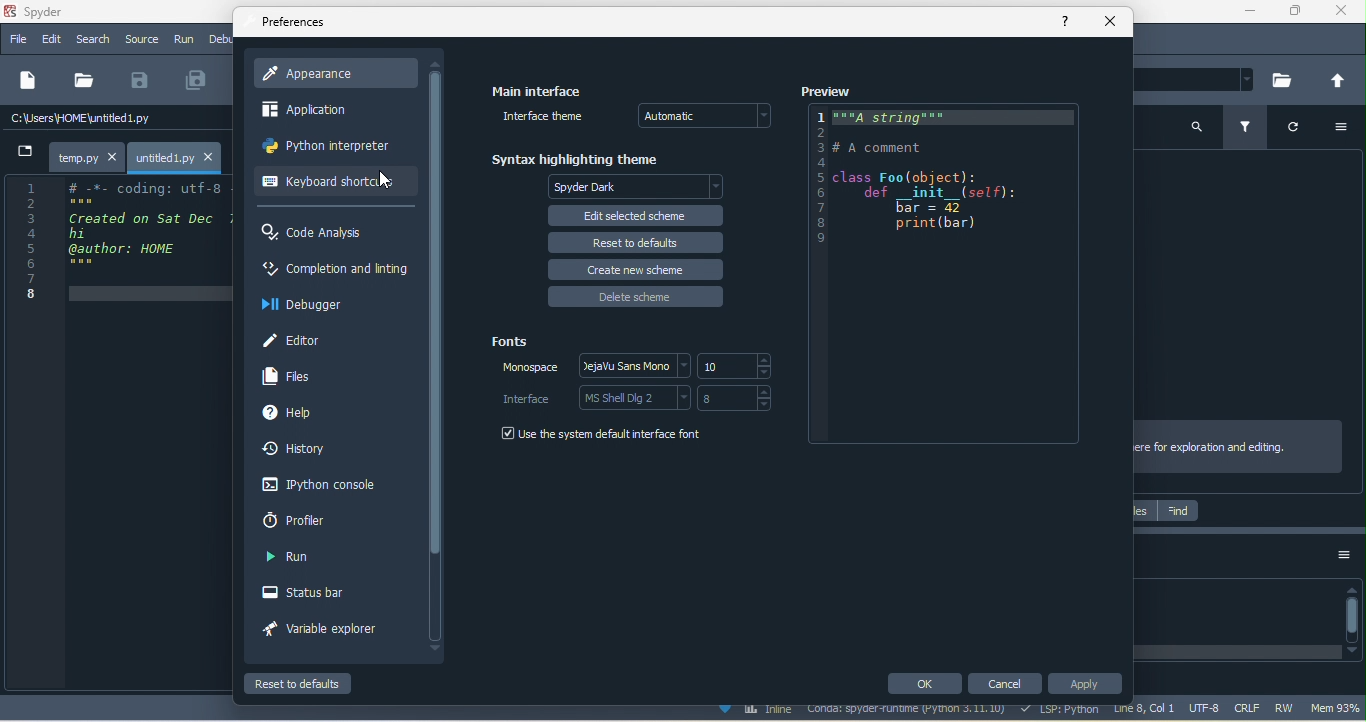  Describe the element at coordinates (321, 109) in the screenshot. I see `application` at that location.